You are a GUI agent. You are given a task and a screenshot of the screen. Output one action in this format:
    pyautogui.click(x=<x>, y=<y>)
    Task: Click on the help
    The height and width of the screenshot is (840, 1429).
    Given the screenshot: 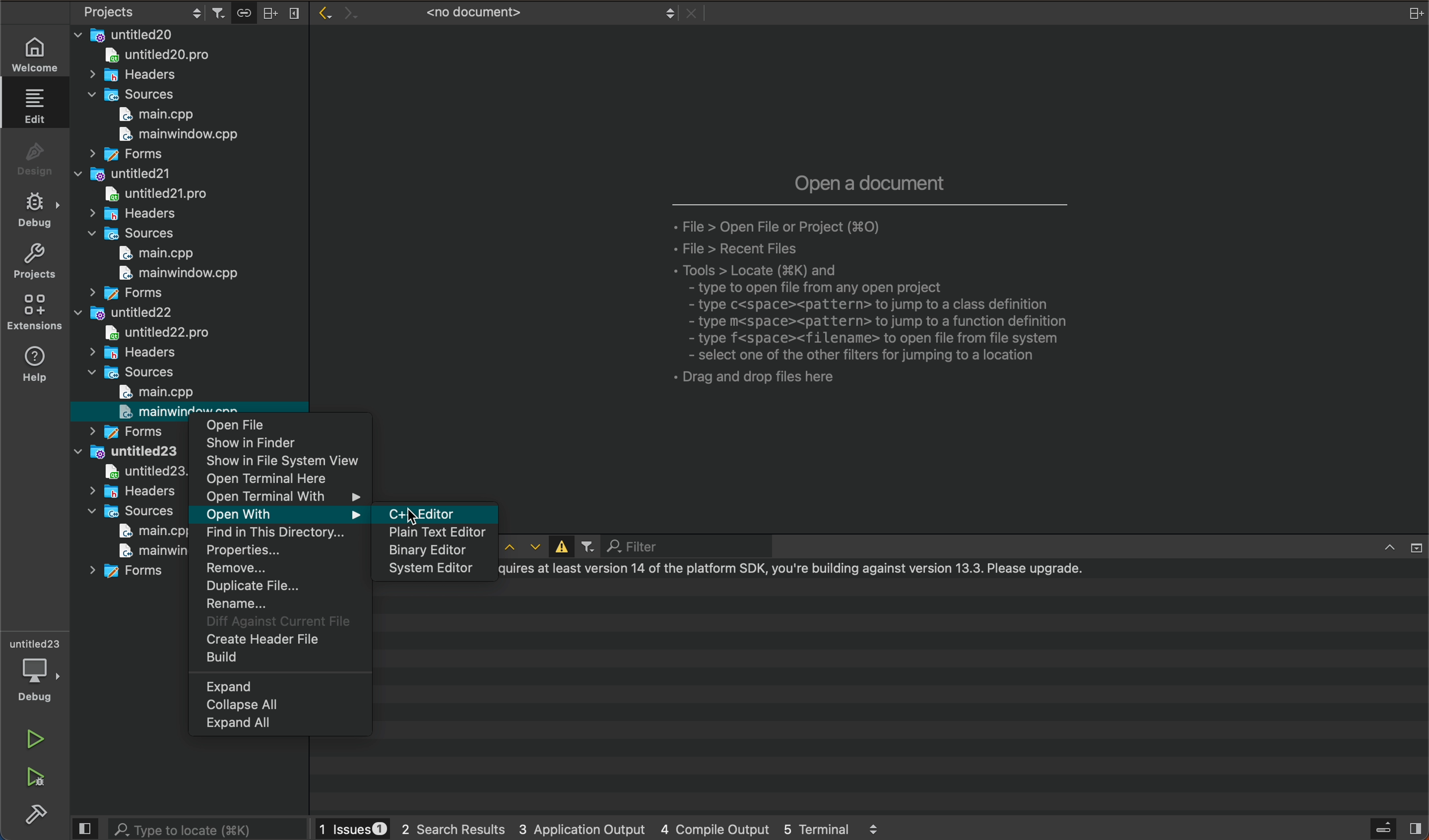 What is the action you would take?
    pyautogui.click(x=35, y=366)
    